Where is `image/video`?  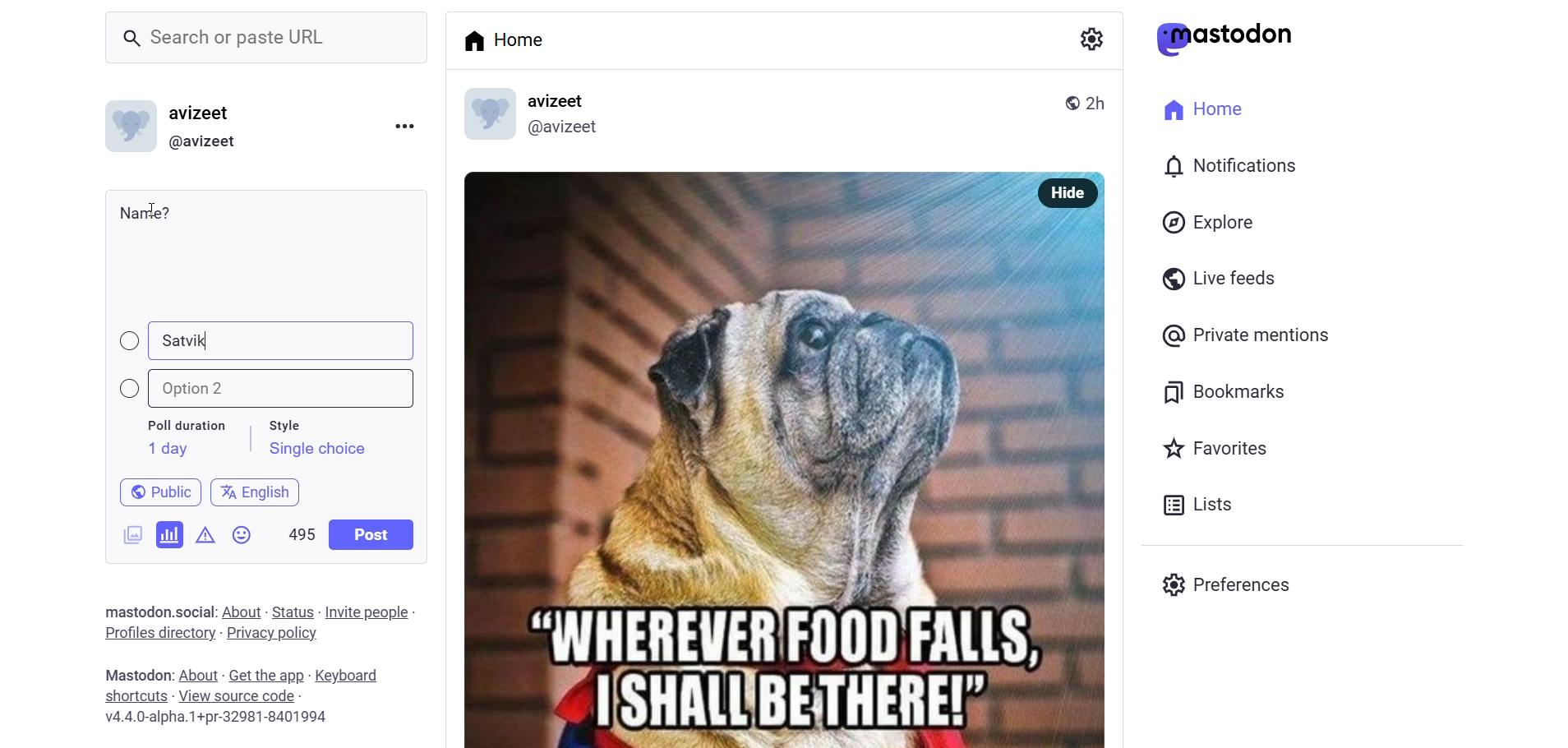
image/video is located at coordinates (127, 532).